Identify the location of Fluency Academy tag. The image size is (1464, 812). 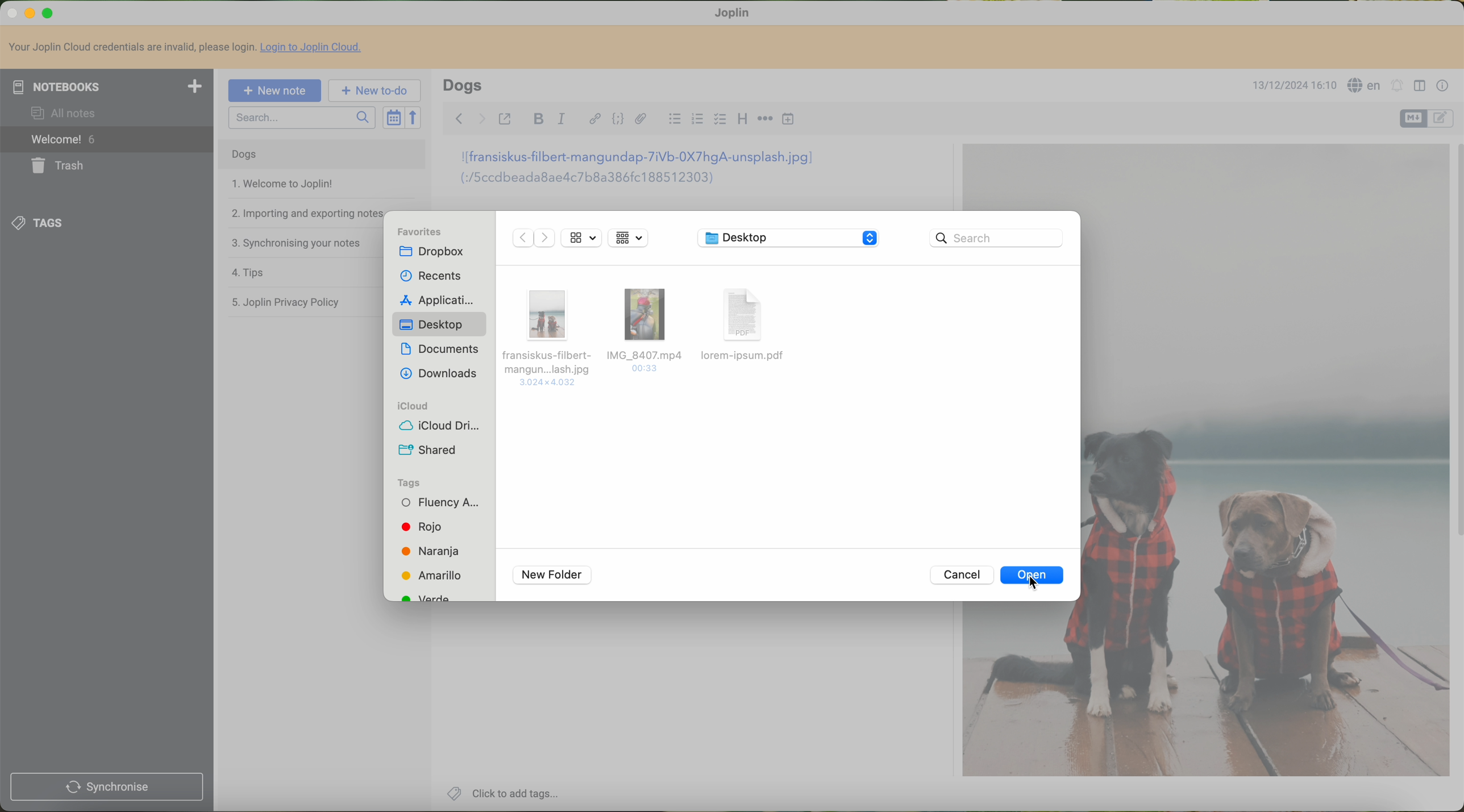
(441, 505).